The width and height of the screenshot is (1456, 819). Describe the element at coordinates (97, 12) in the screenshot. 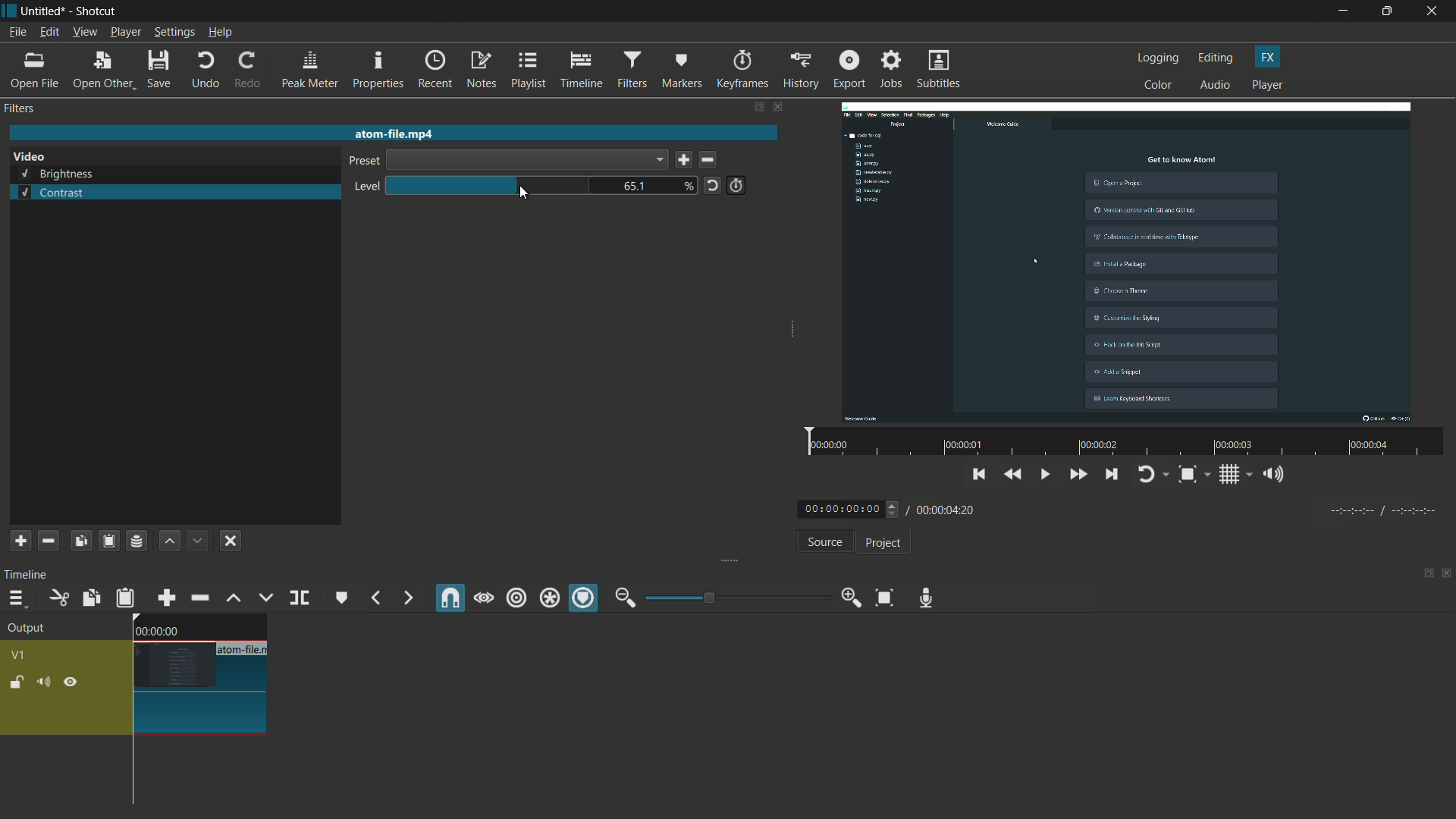

I see `Shotcut` at that location.